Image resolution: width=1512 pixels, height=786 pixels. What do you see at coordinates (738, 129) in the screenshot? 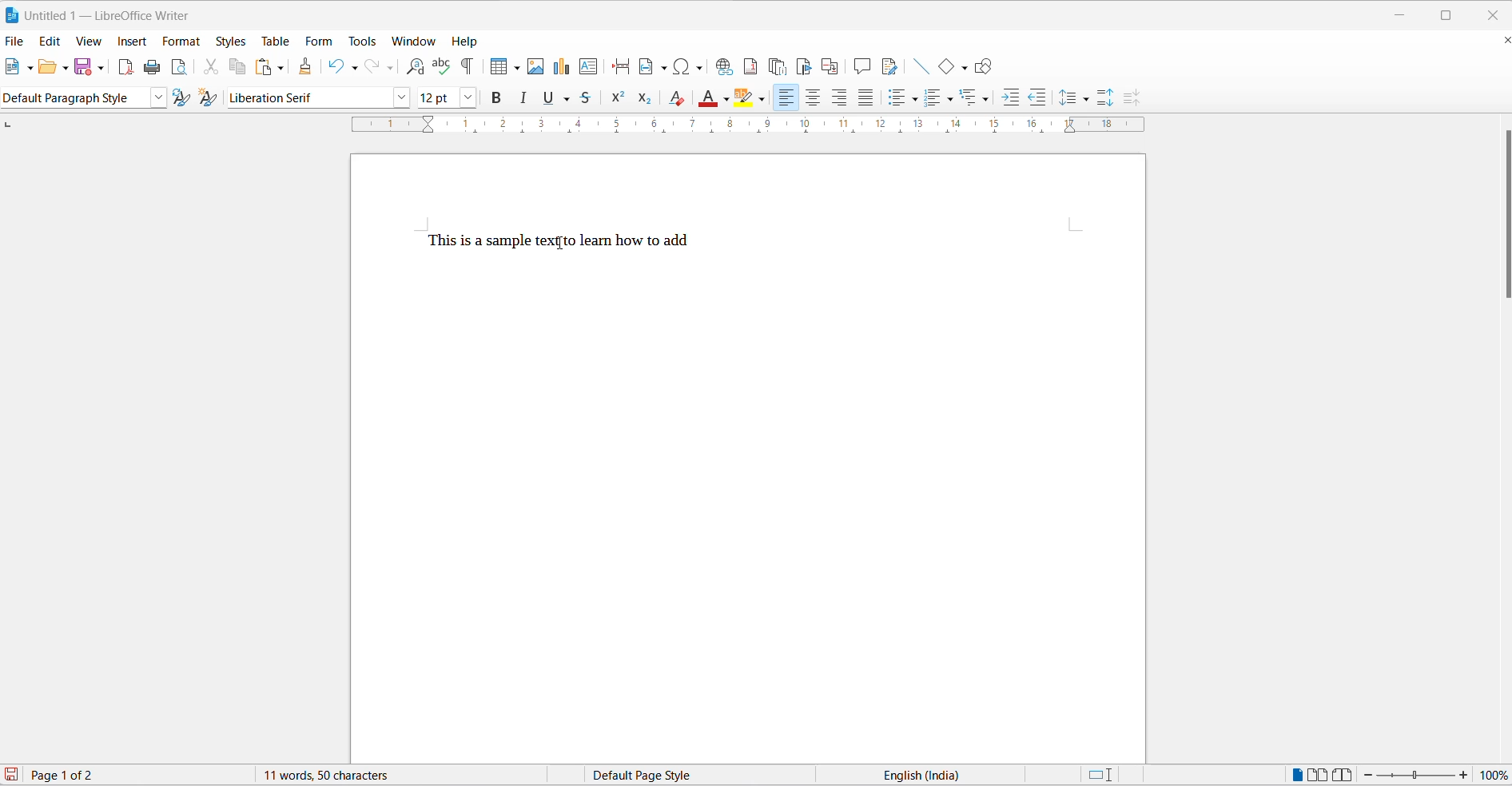
I see `scaling` at bounding box center [738, 129].